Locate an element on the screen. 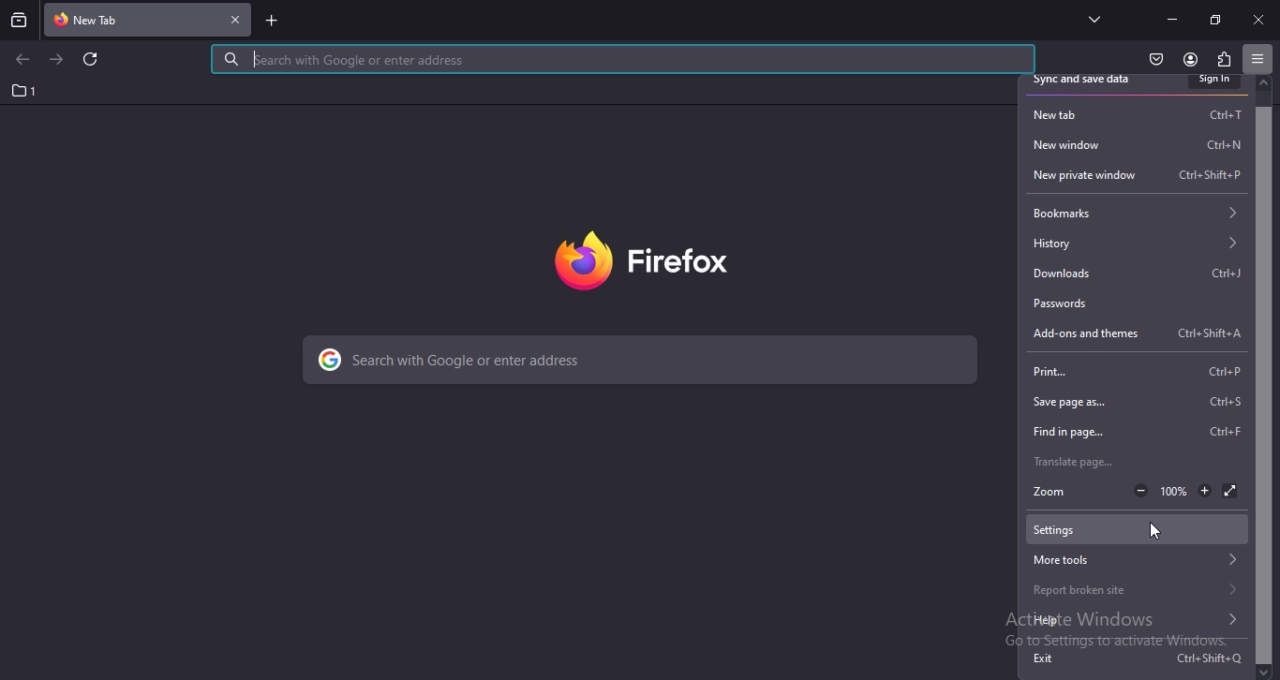 The height and width of the screenshot is (680, 1280). current tab is located at coordinates (96, 21).